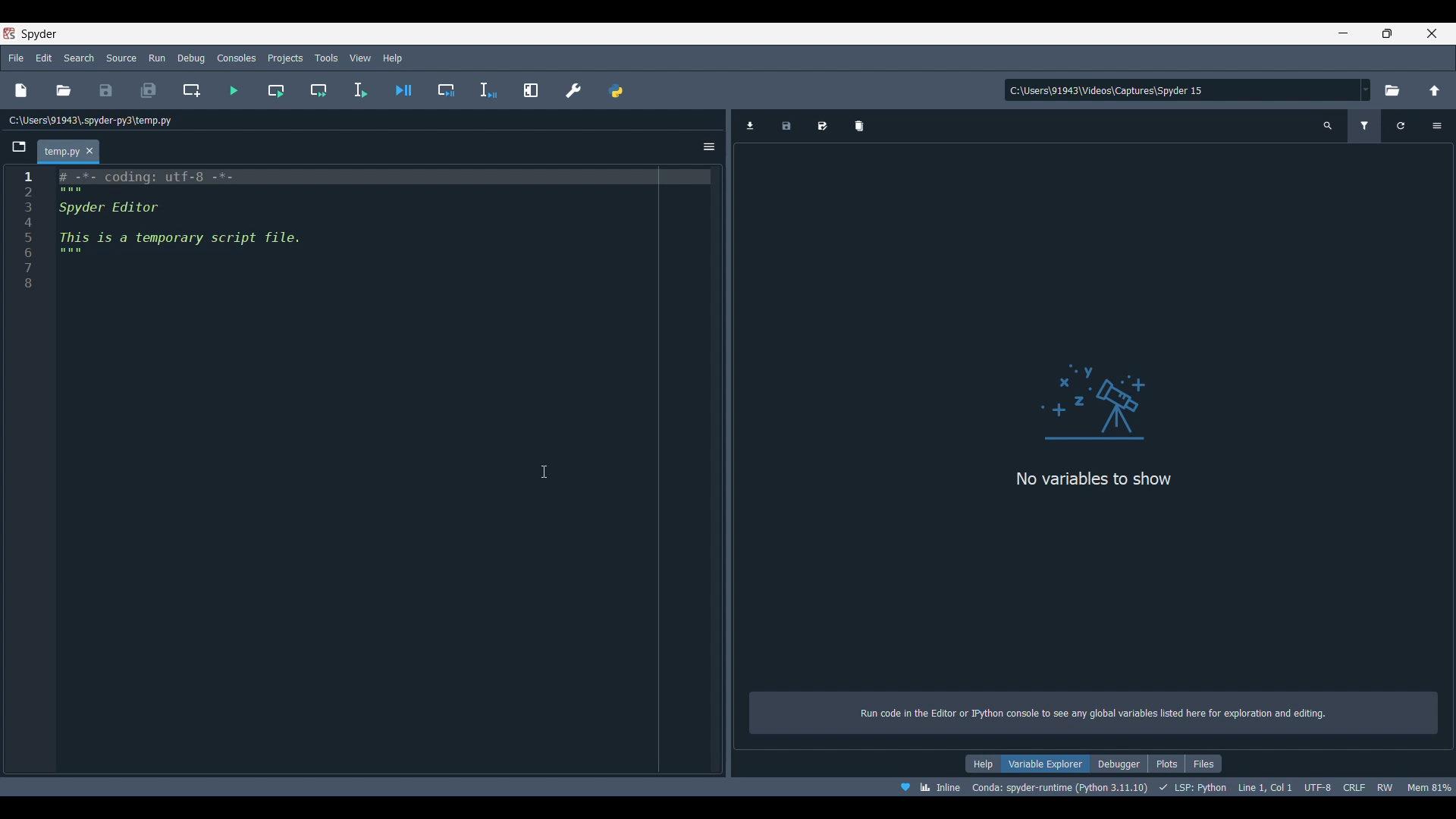 This screenshot has height=819, width=1456. Describe the element at coordinates (148, 90) in the screenshot. I see `Save everything` at that location.